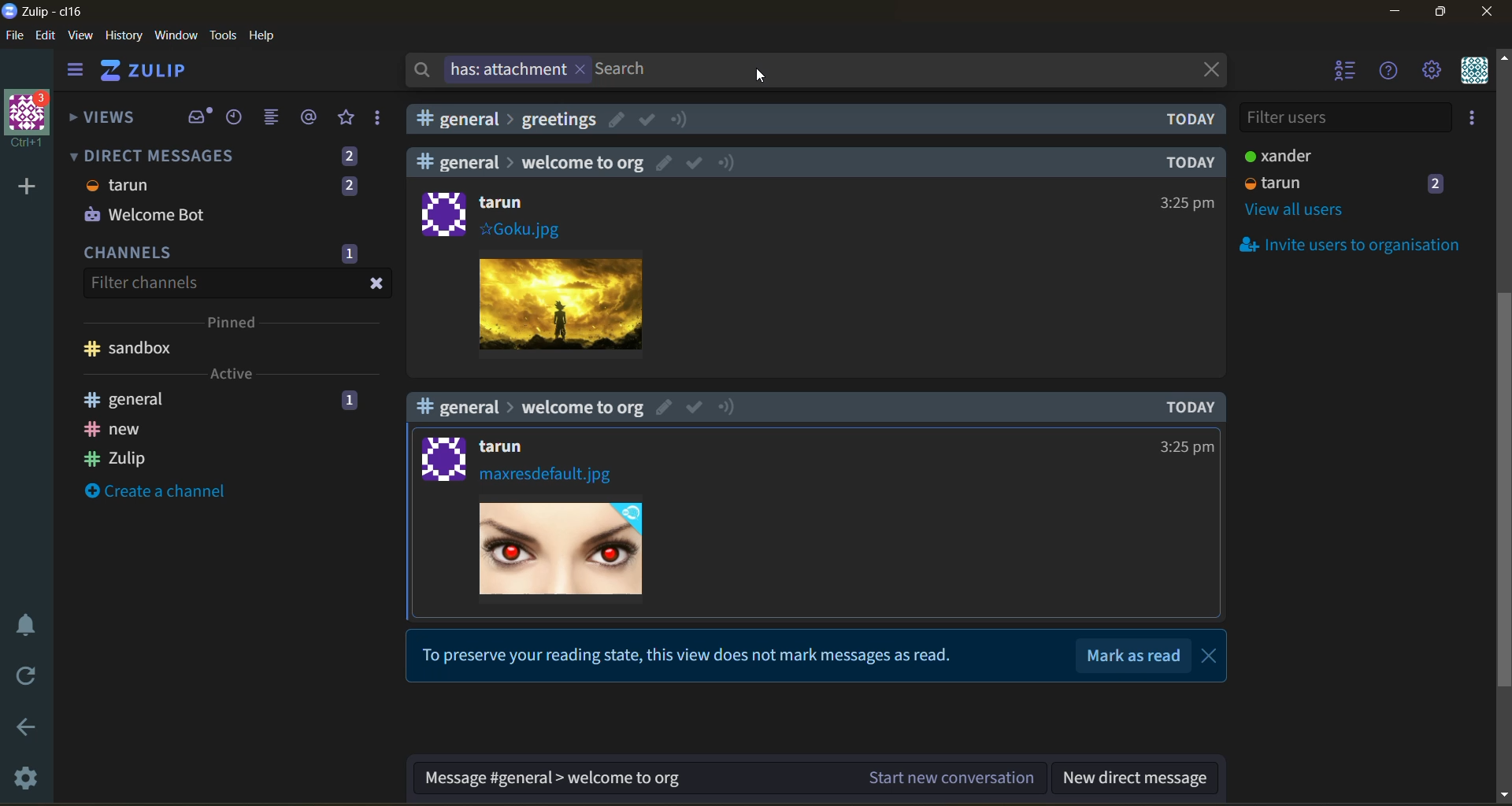 The width and height of the screenshot is (1512, 806). I want to click on Zulip-cl16, so click(46, 10).